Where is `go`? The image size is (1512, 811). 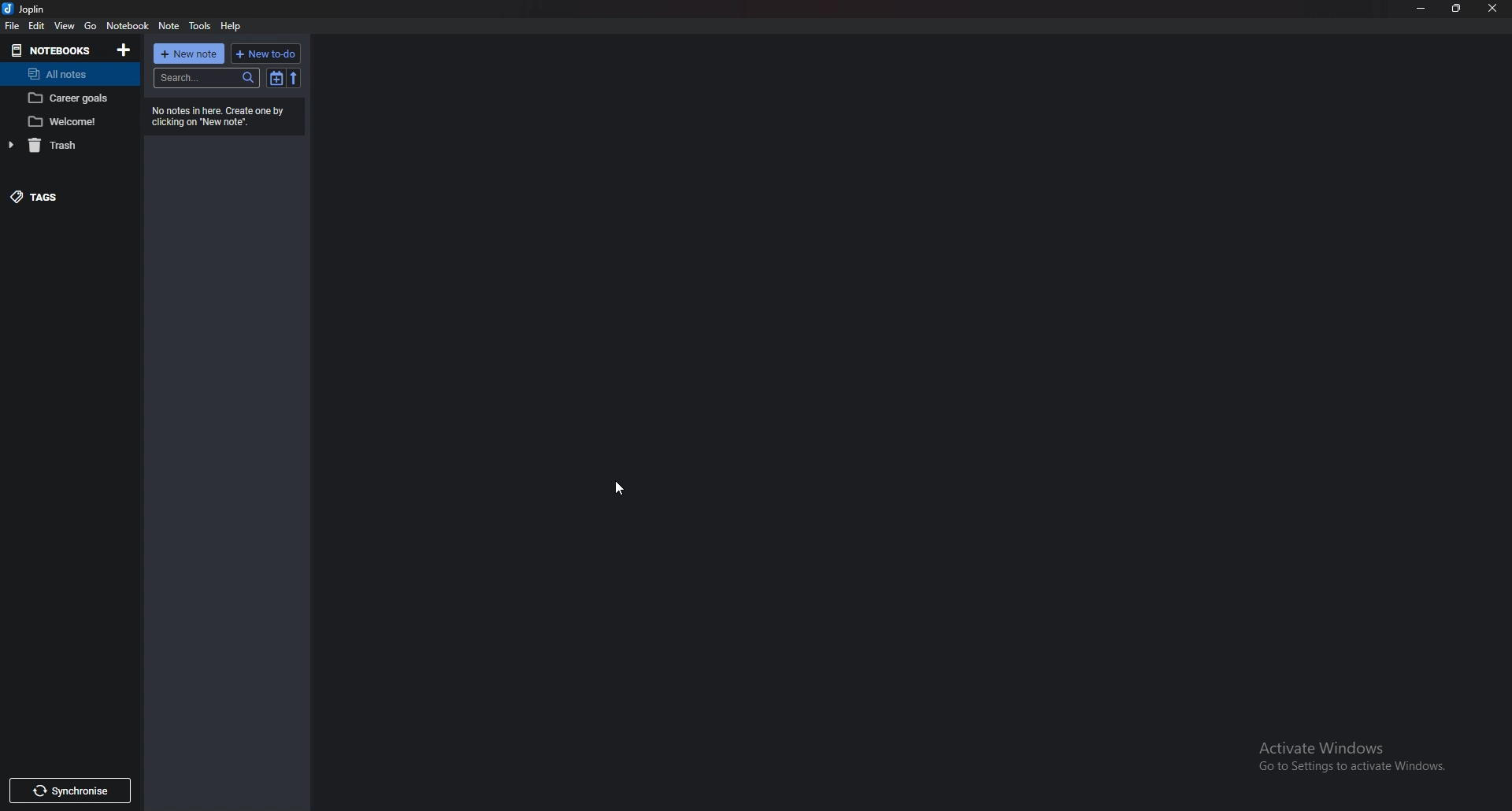 go is located at coordinates (91, 26).